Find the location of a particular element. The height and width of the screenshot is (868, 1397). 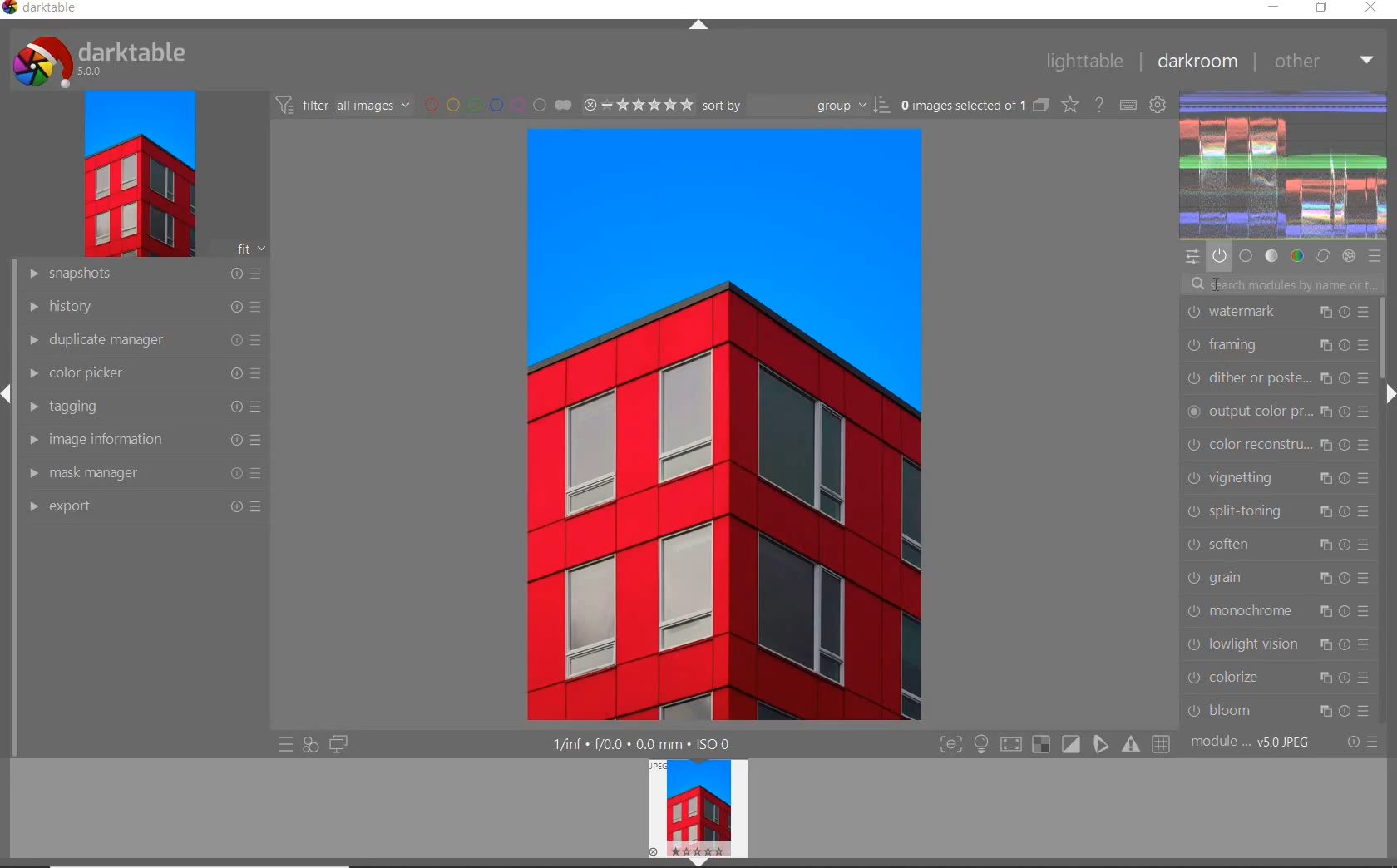

framing is located at coordinates (1276, 344).